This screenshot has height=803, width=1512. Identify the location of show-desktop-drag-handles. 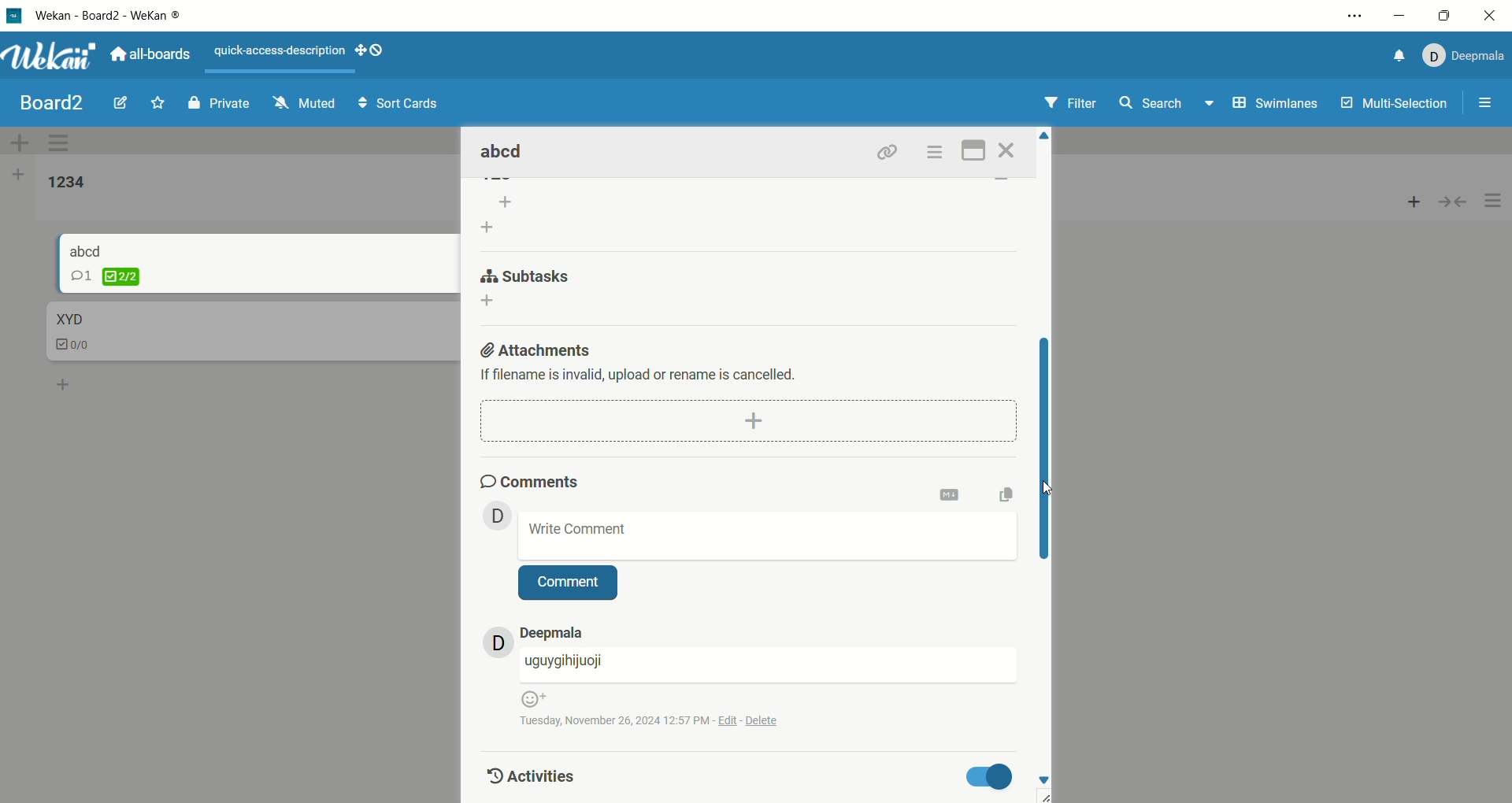
(372, 50).